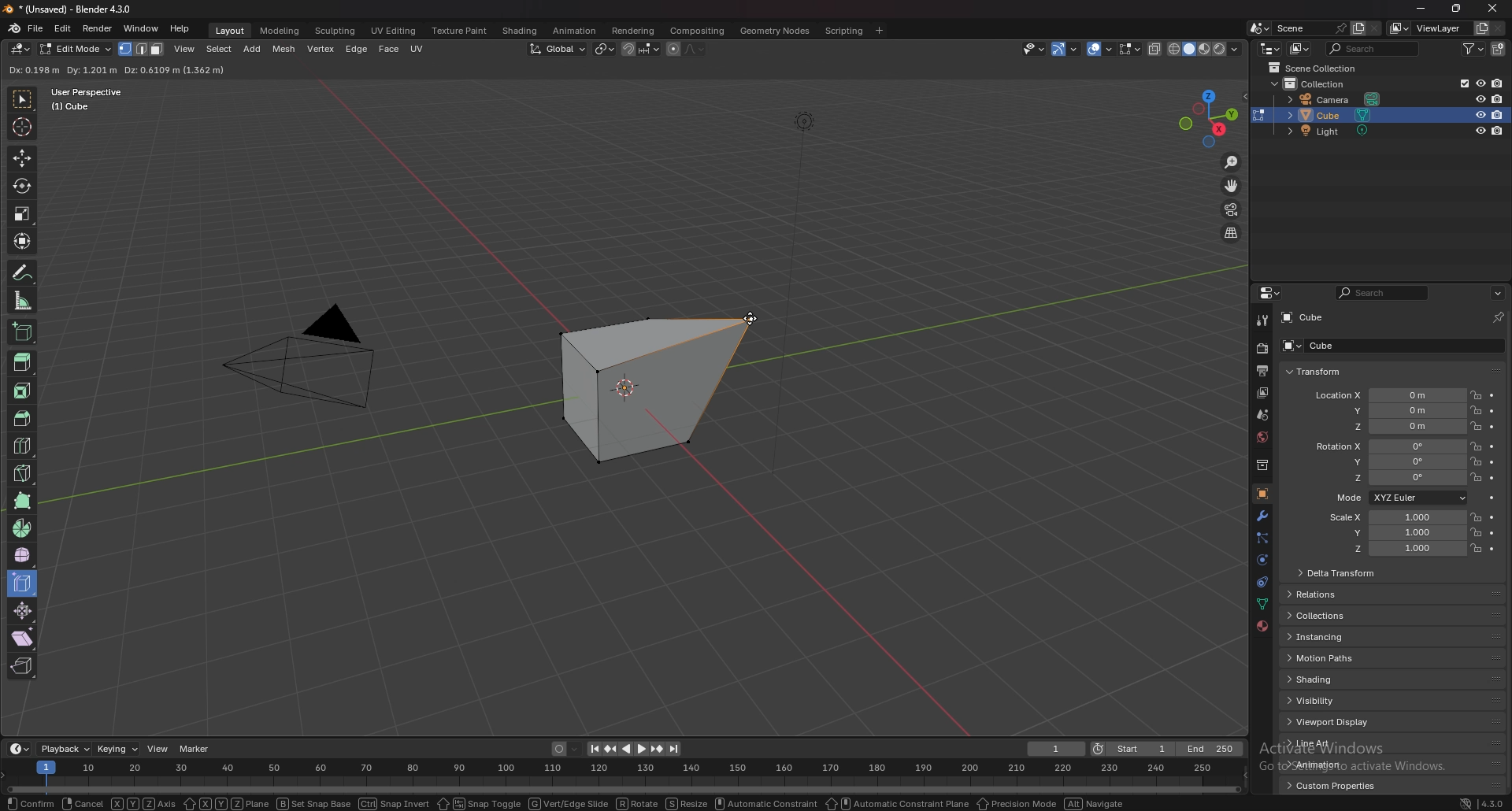 The height and width of the screenshot is (811, 1512). Describe the element at coordinates (1232, 209) in the screenshot. I see `camera view` at that location.